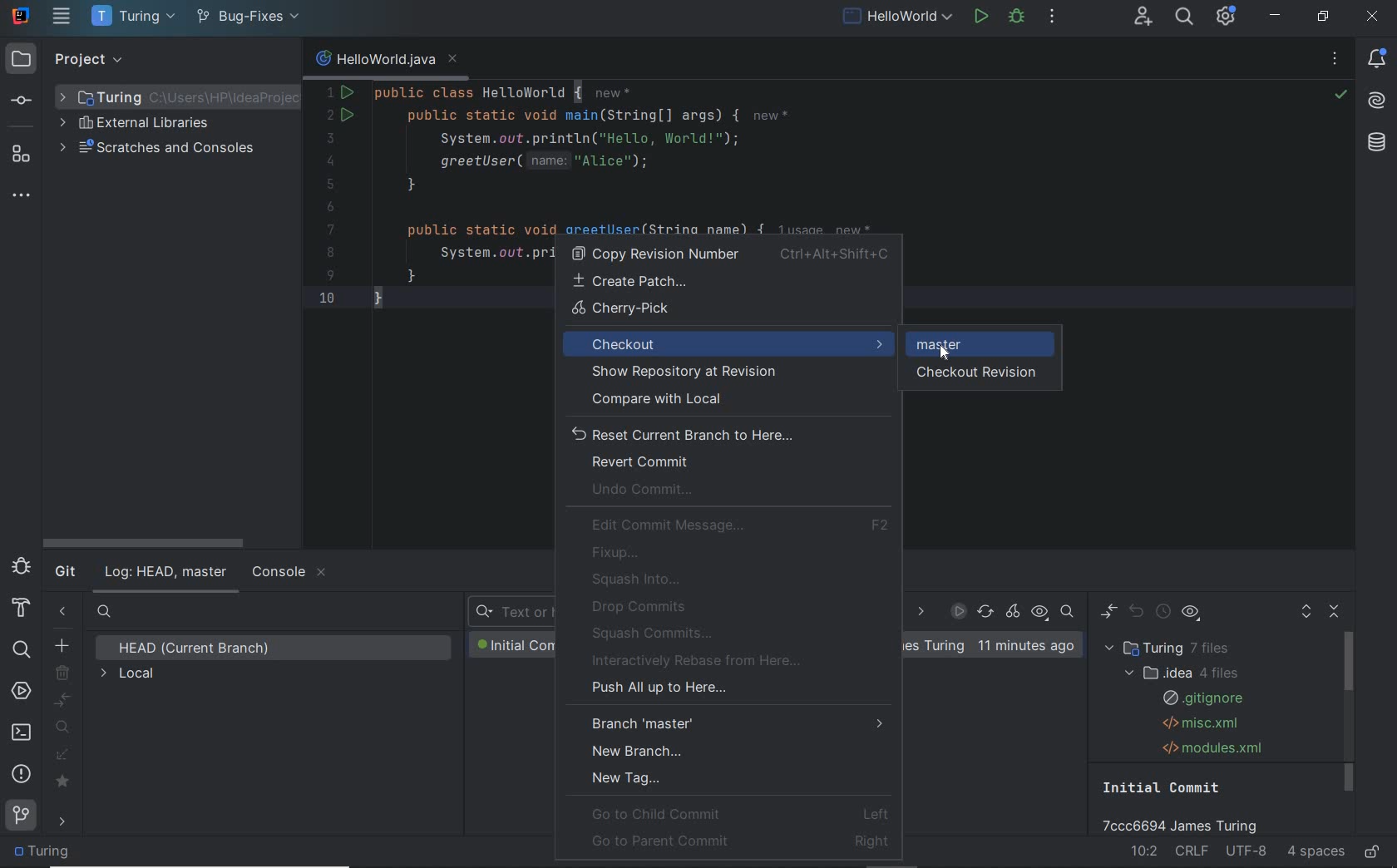  Describe the element at coordinates (65, 727) in the screenshot. I see `show my branches` at that location.